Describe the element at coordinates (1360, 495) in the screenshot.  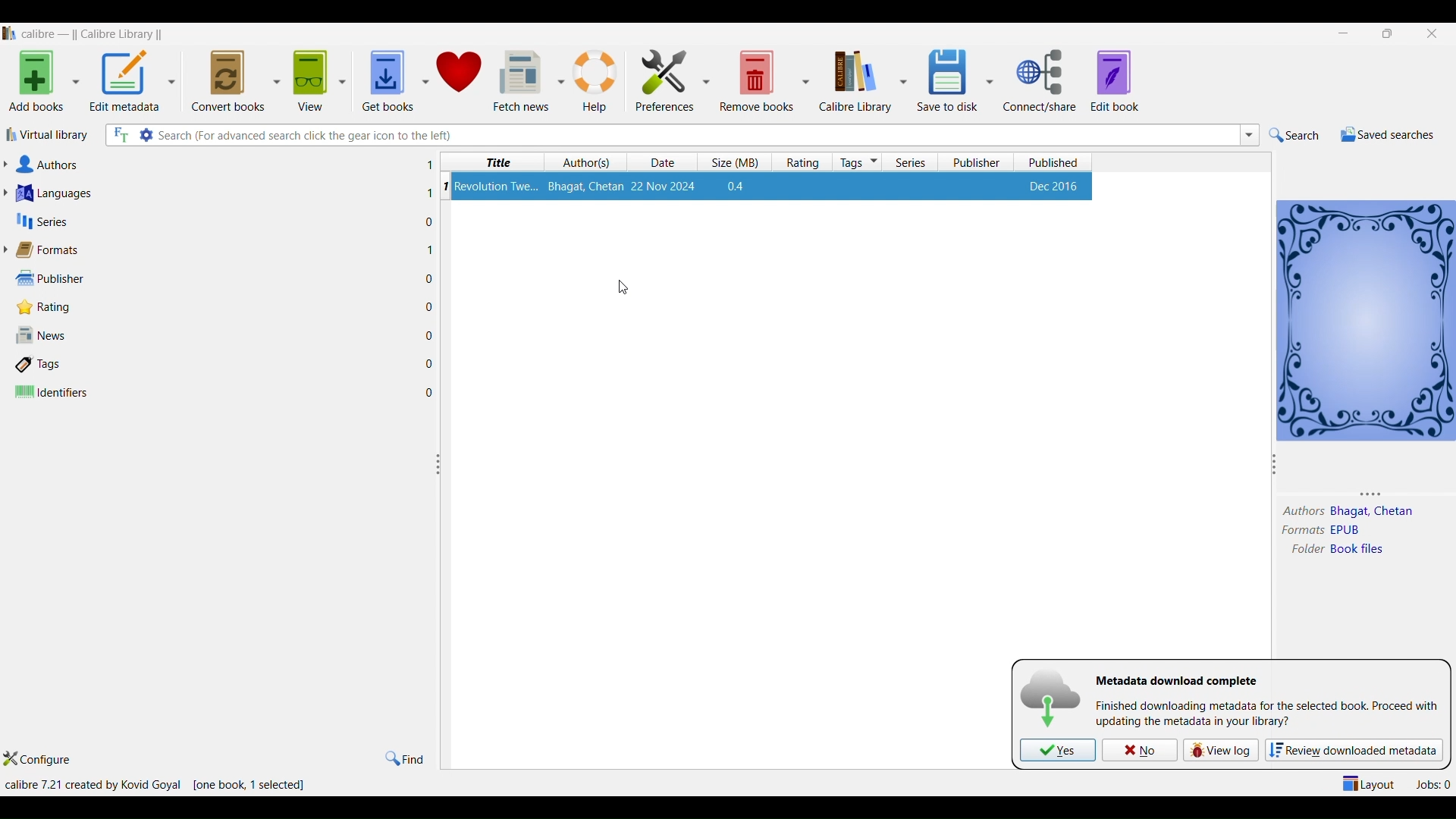
I see `resize` at that location.